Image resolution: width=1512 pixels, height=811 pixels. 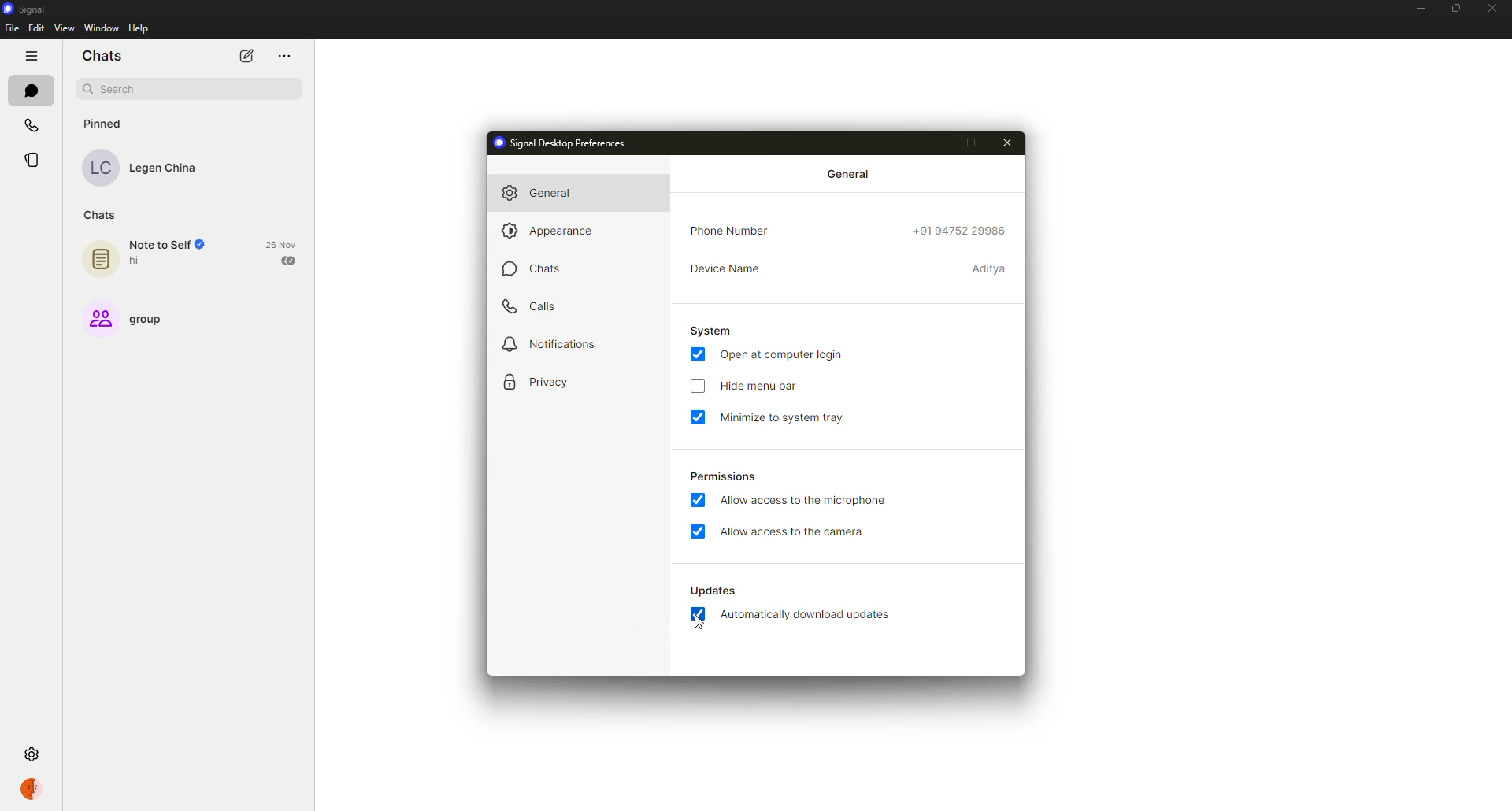 What do you see at coordinates (711, 329) in the screenshot?
I see `system` at bounding box center [711, 329].